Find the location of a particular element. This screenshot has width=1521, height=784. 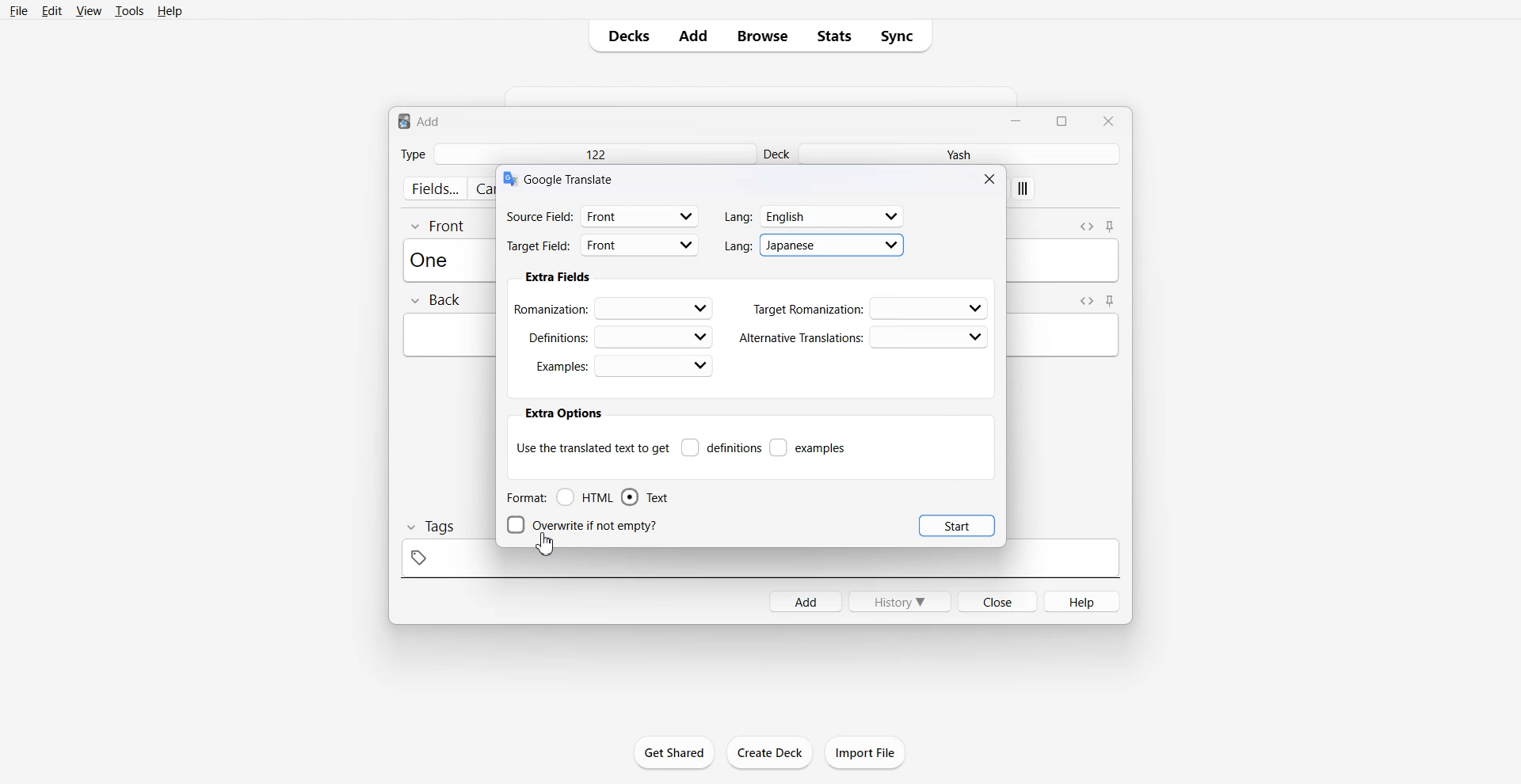

Import File is located at coordinates (866, 752).